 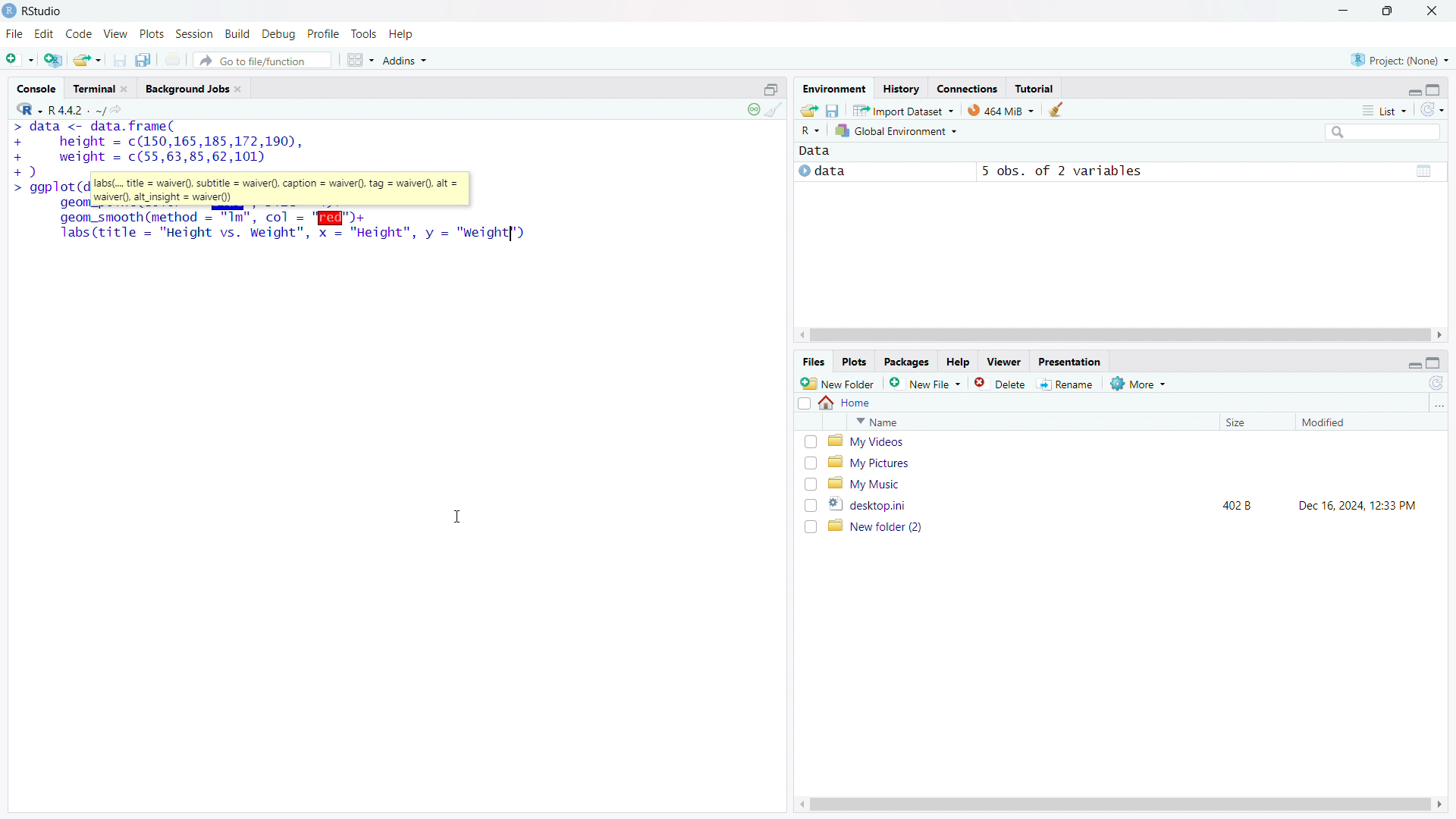 What do you see at coordinates (262, 60) in the screenshot?
I see `go to file/function` at bounding box center [262, 60].